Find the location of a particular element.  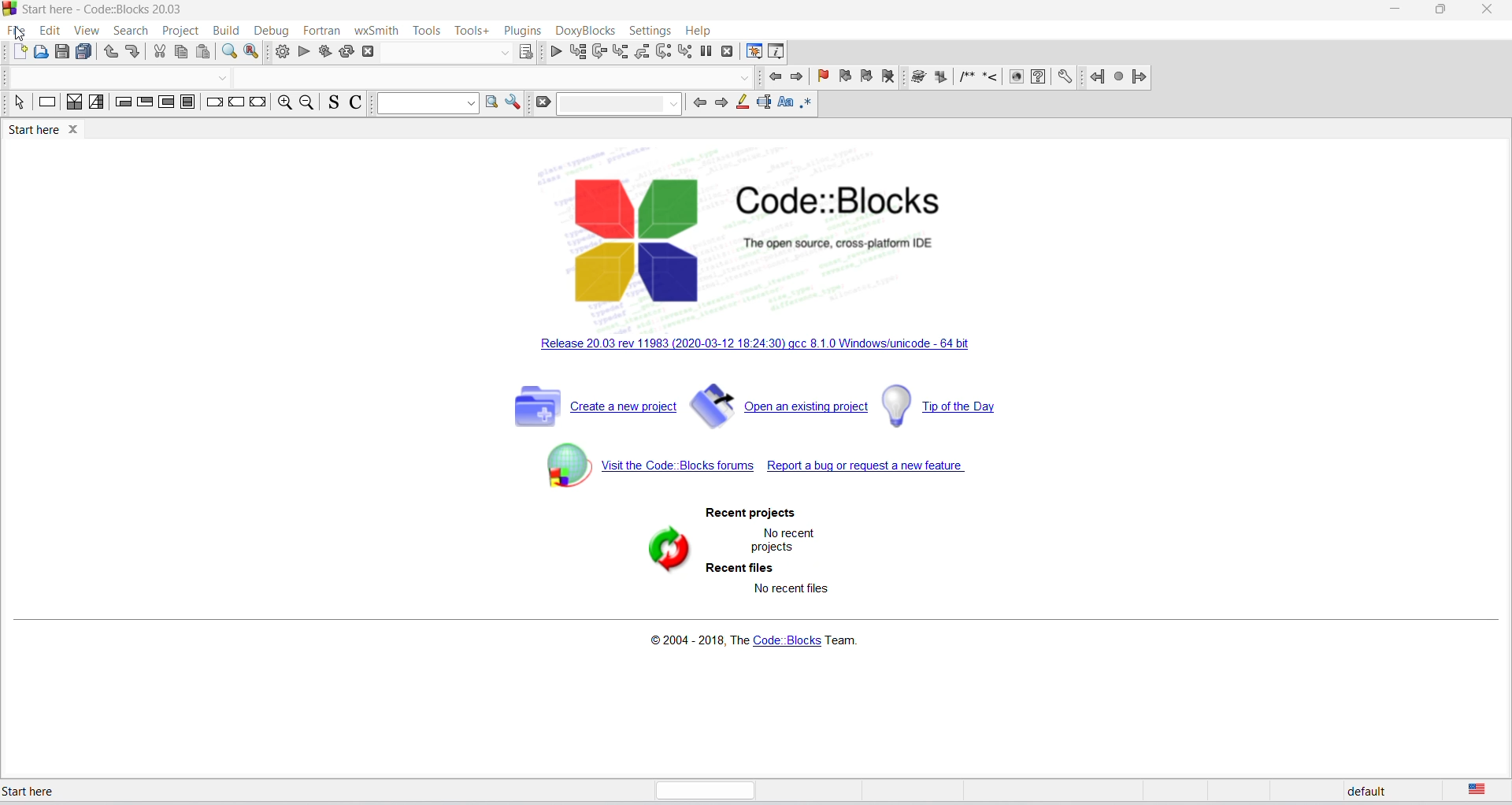

help is located at coordinates (698, 31).